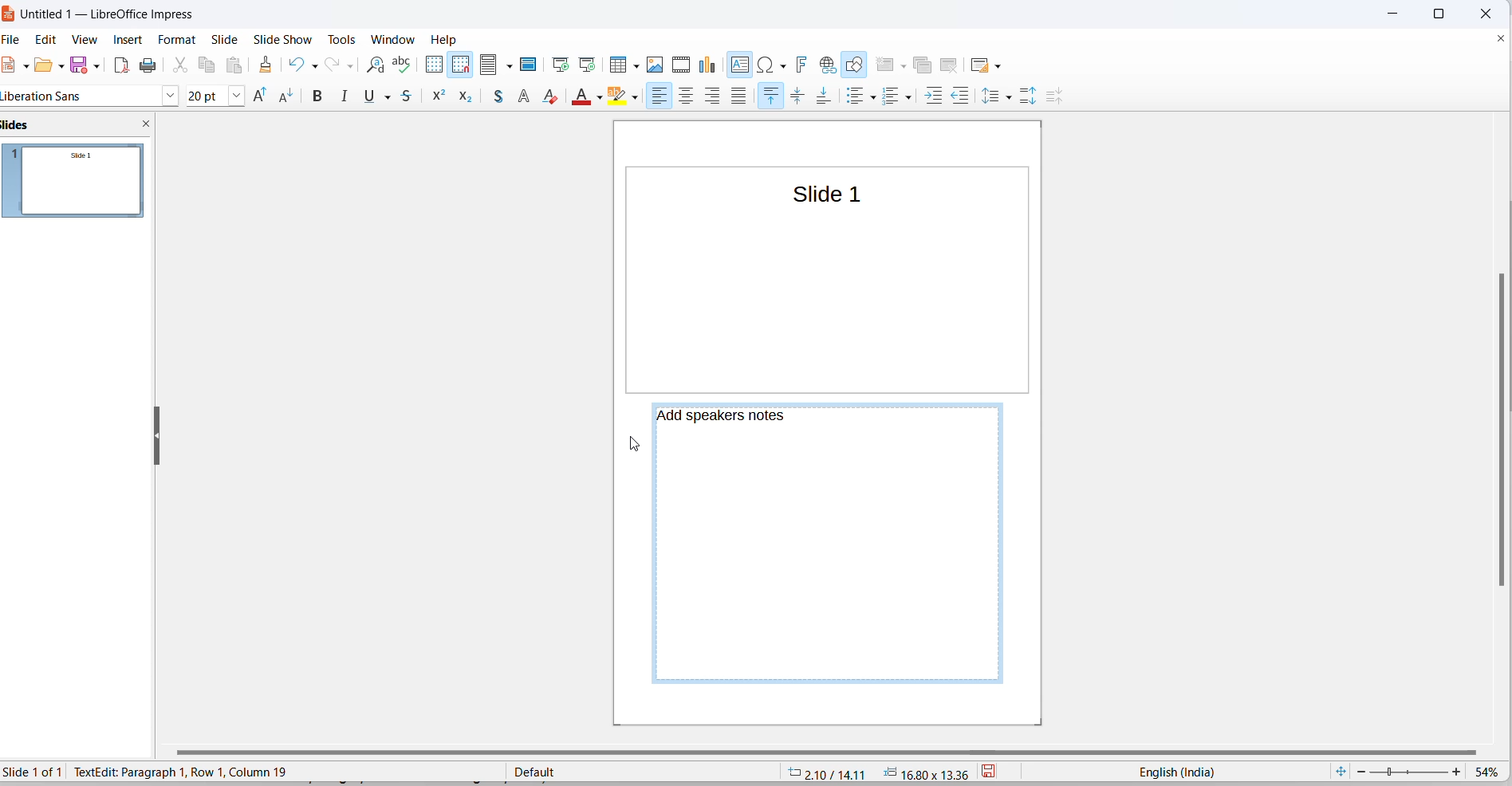 This screenshot has height=786, width=1512. I want to click on filters, so click(781, 97).